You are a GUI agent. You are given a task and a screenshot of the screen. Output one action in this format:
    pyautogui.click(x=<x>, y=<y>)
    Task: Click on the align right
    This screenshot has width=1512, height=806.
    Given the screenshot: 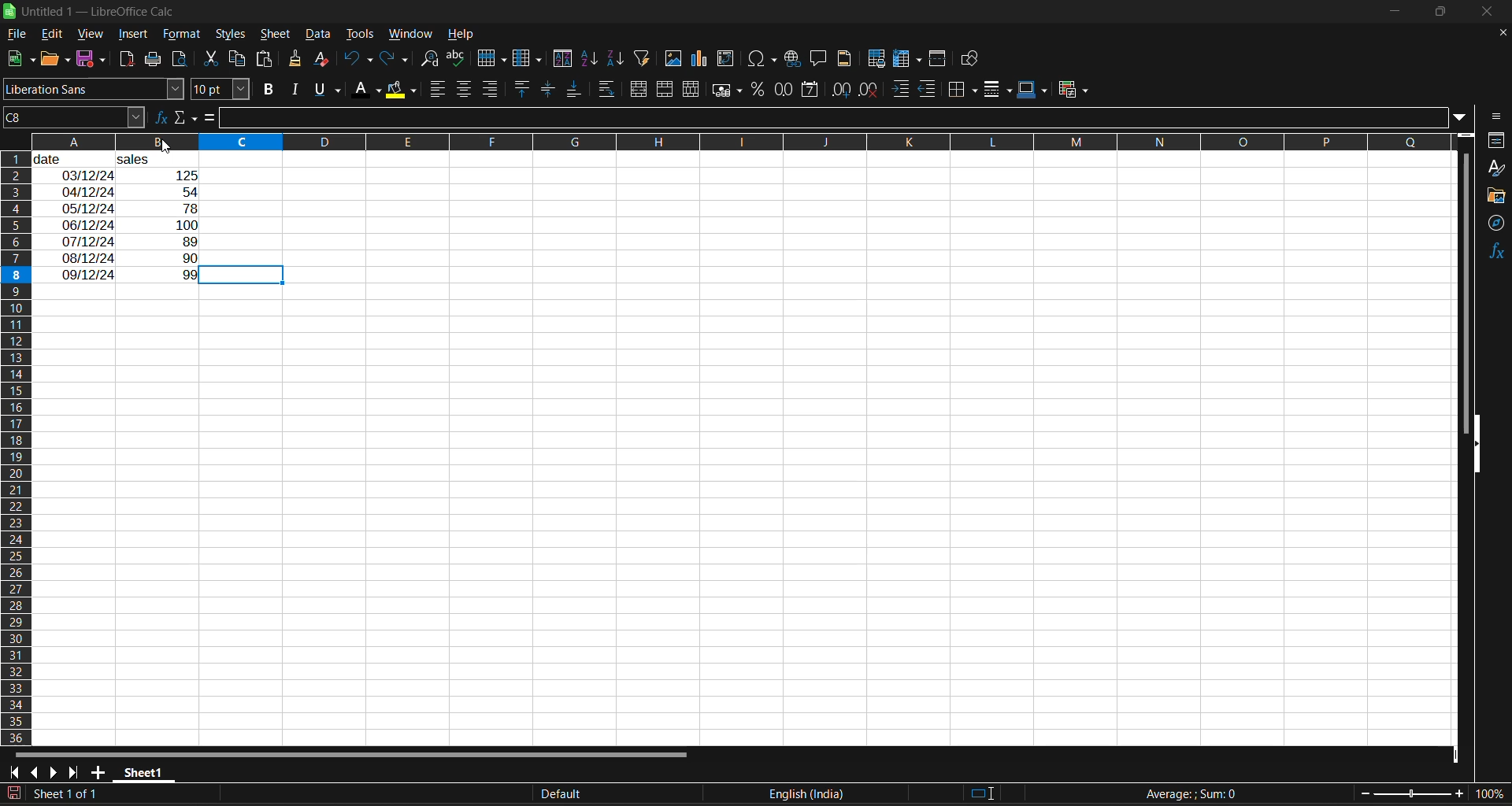 What is the action you would take?
    pyautogui.click(x=491, y=88)
    